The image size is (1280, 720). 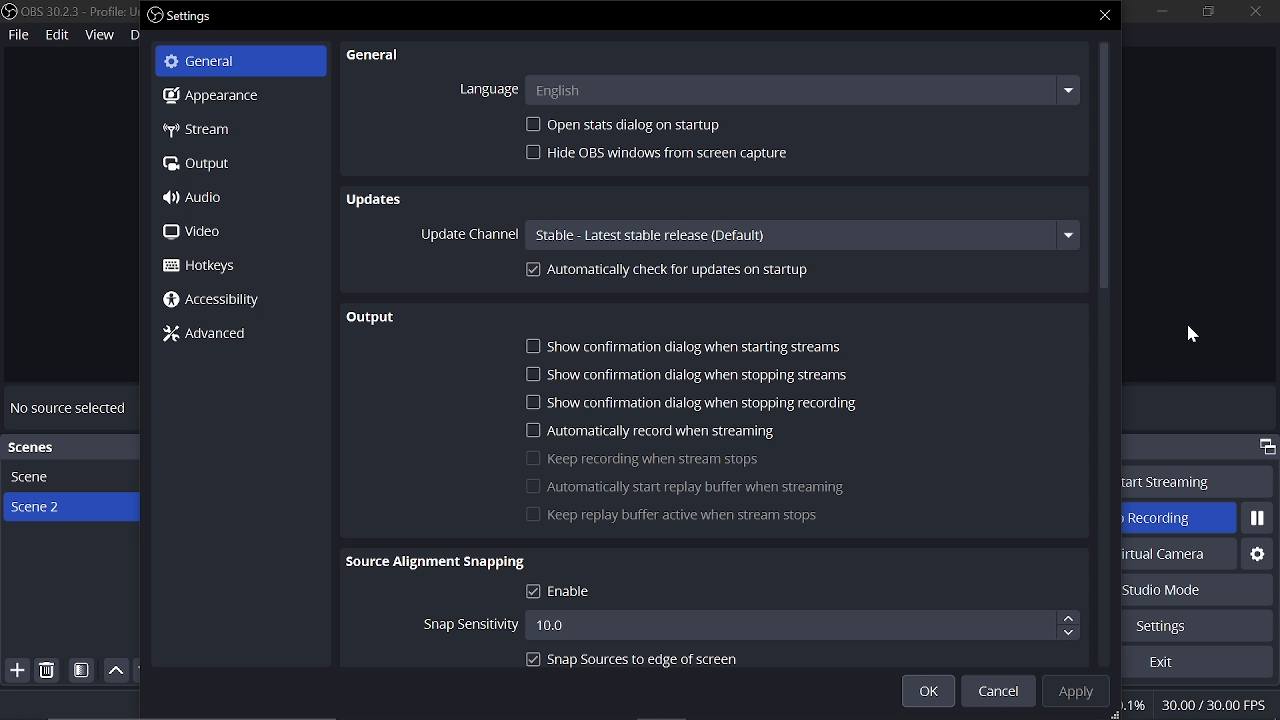 What do you see at coordinates (1191, 334) in the screenshot?
I see `cursor` at bounding box center [1191, 334].